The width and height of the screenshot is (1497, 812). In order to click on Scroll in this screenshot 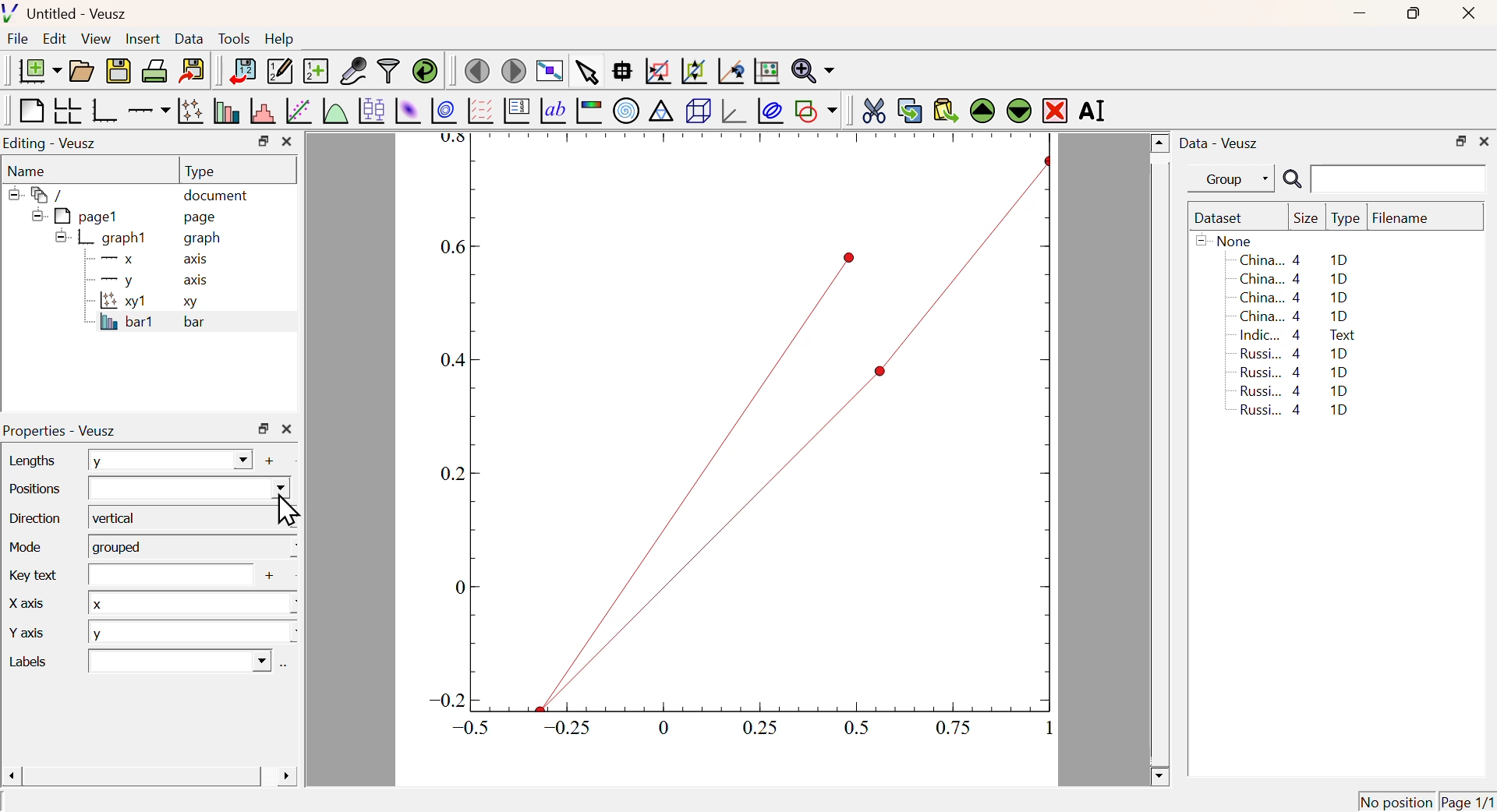, I will do `click(1160, 461)`.